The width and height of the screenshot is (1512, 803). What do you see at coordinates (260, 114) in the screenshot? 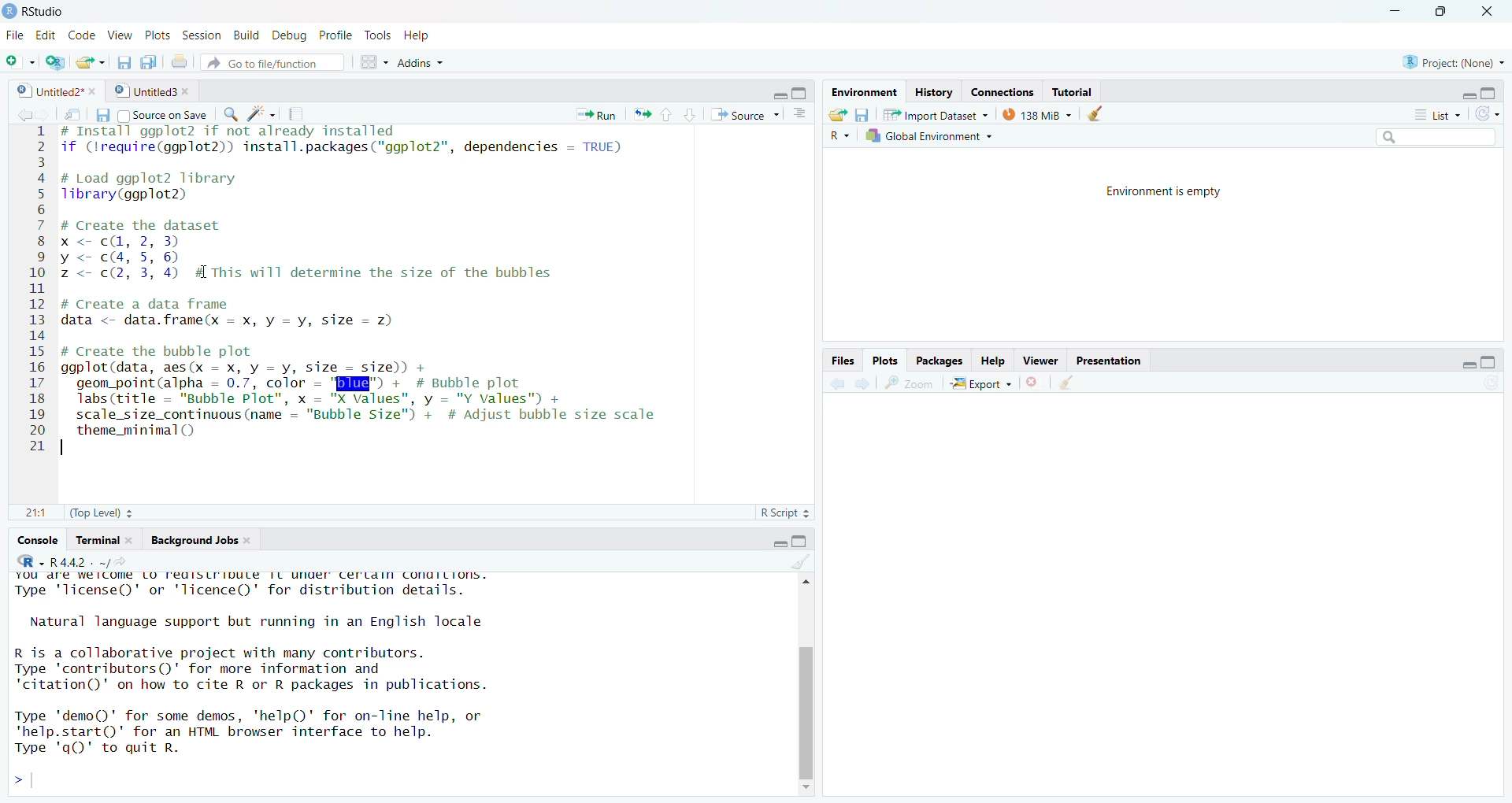
I see `code tools` at bounding box center [260, 114].